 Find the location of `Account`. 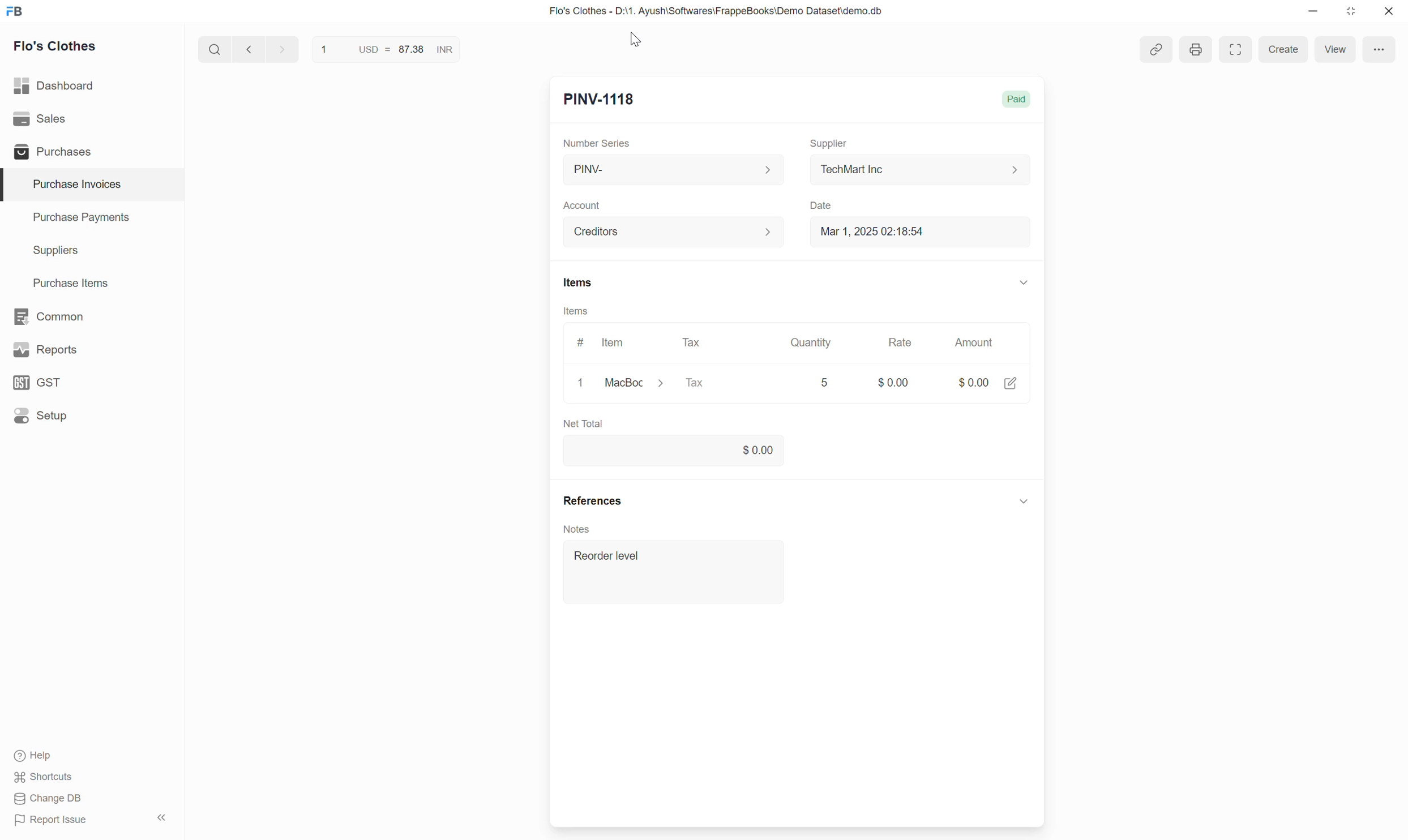

Account is located at coordinates (581, 206).